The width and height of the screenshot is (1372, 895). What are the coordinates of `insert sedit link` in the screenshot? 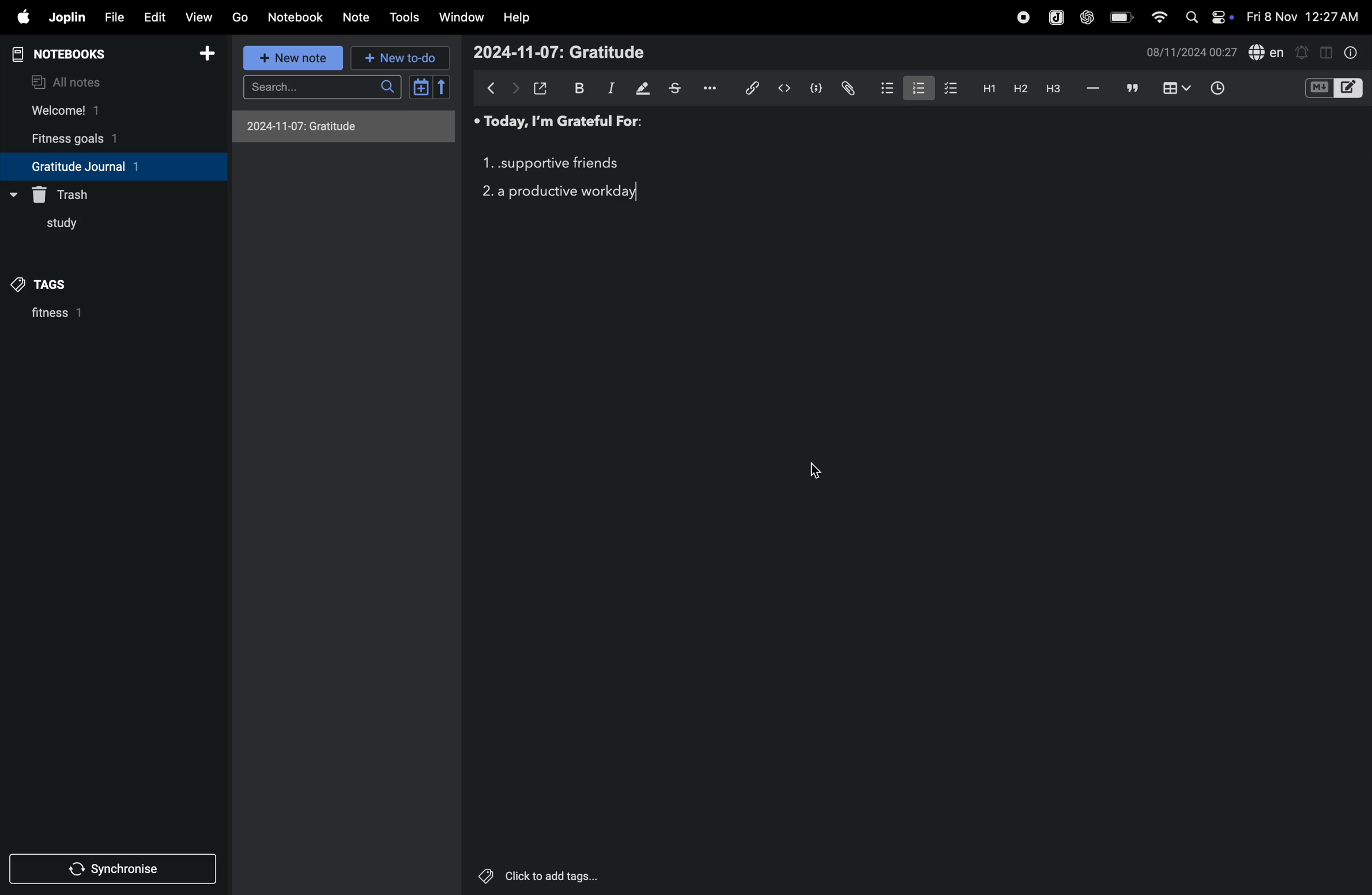 It's located at (752, 88).